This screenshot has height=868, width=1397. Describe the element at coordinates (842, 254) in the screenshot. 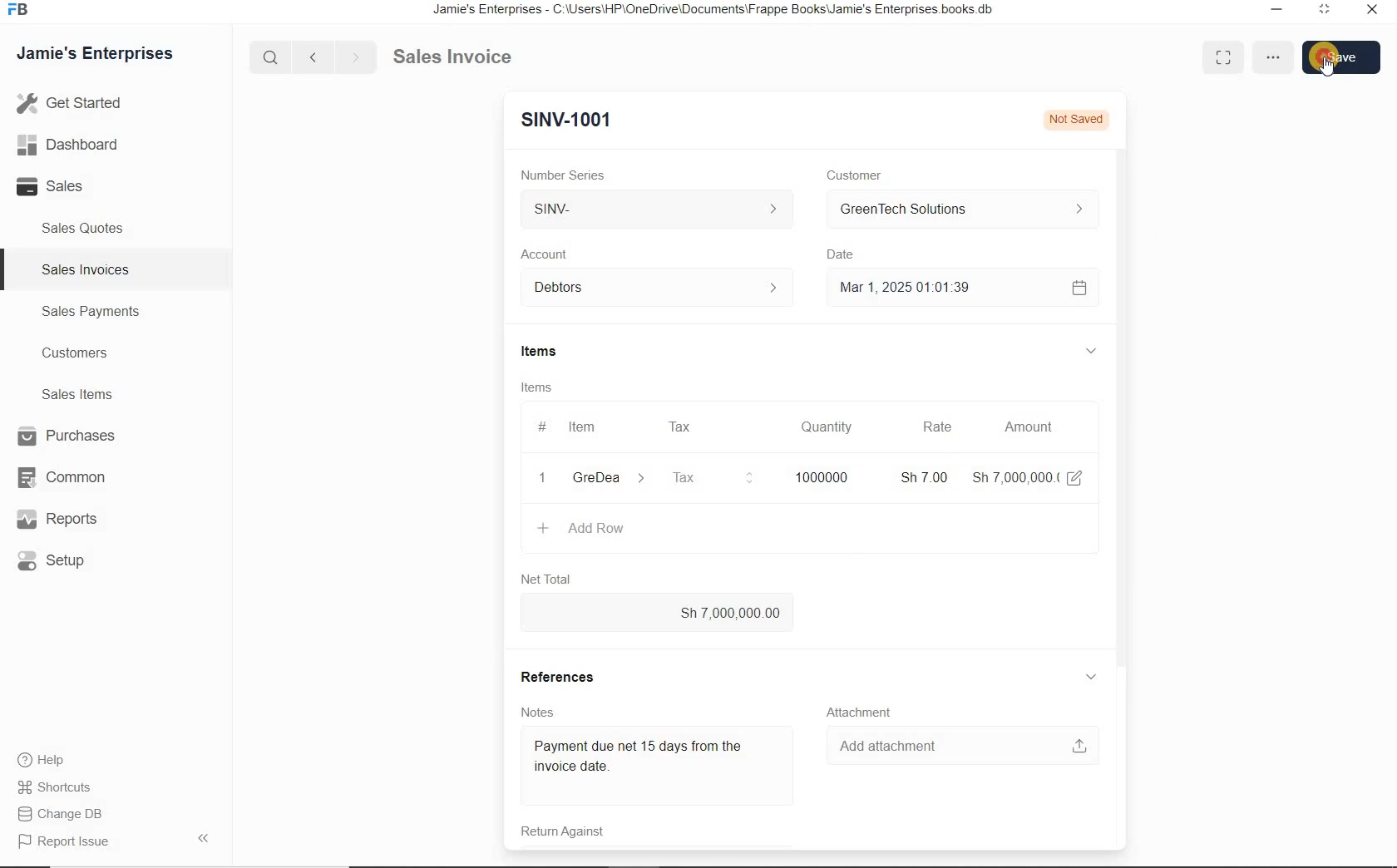

I see `Date` at that location.